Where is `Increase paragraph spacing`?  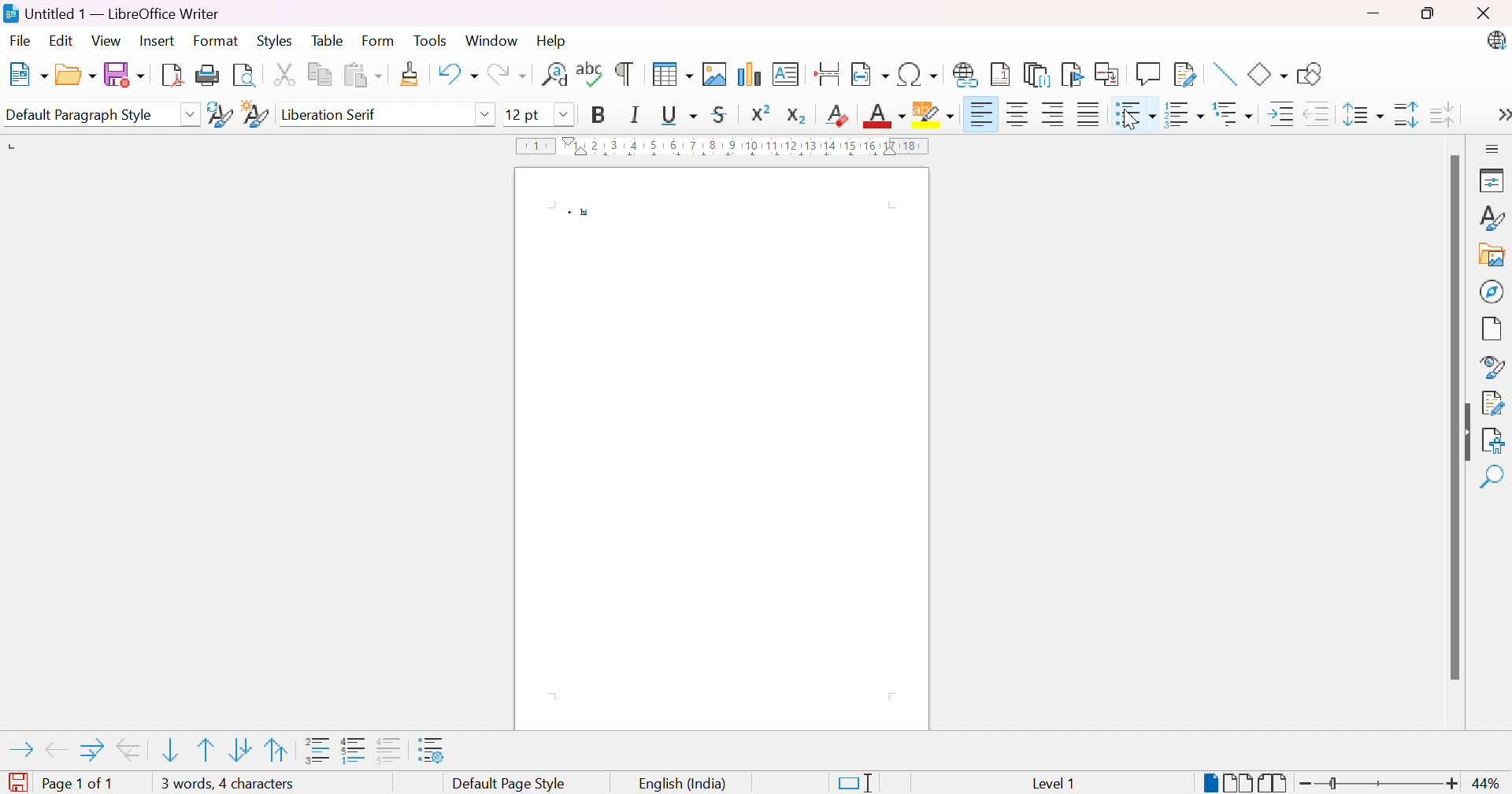 Increase paragraph spacing is located at coordinates (1407, 116).